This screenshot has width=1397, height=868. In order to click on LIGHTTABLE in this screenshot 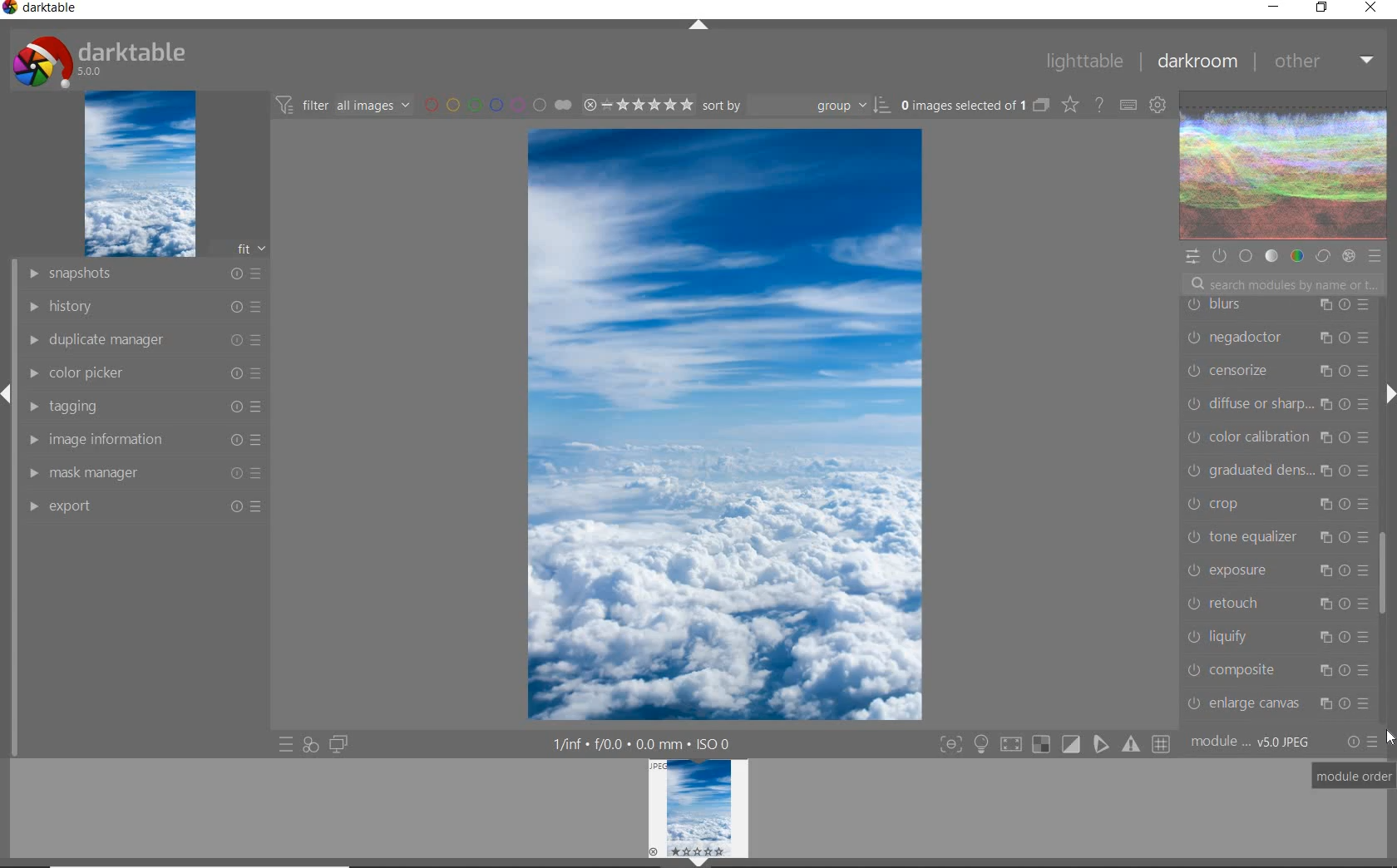, I will do `click(1083, 60)`.